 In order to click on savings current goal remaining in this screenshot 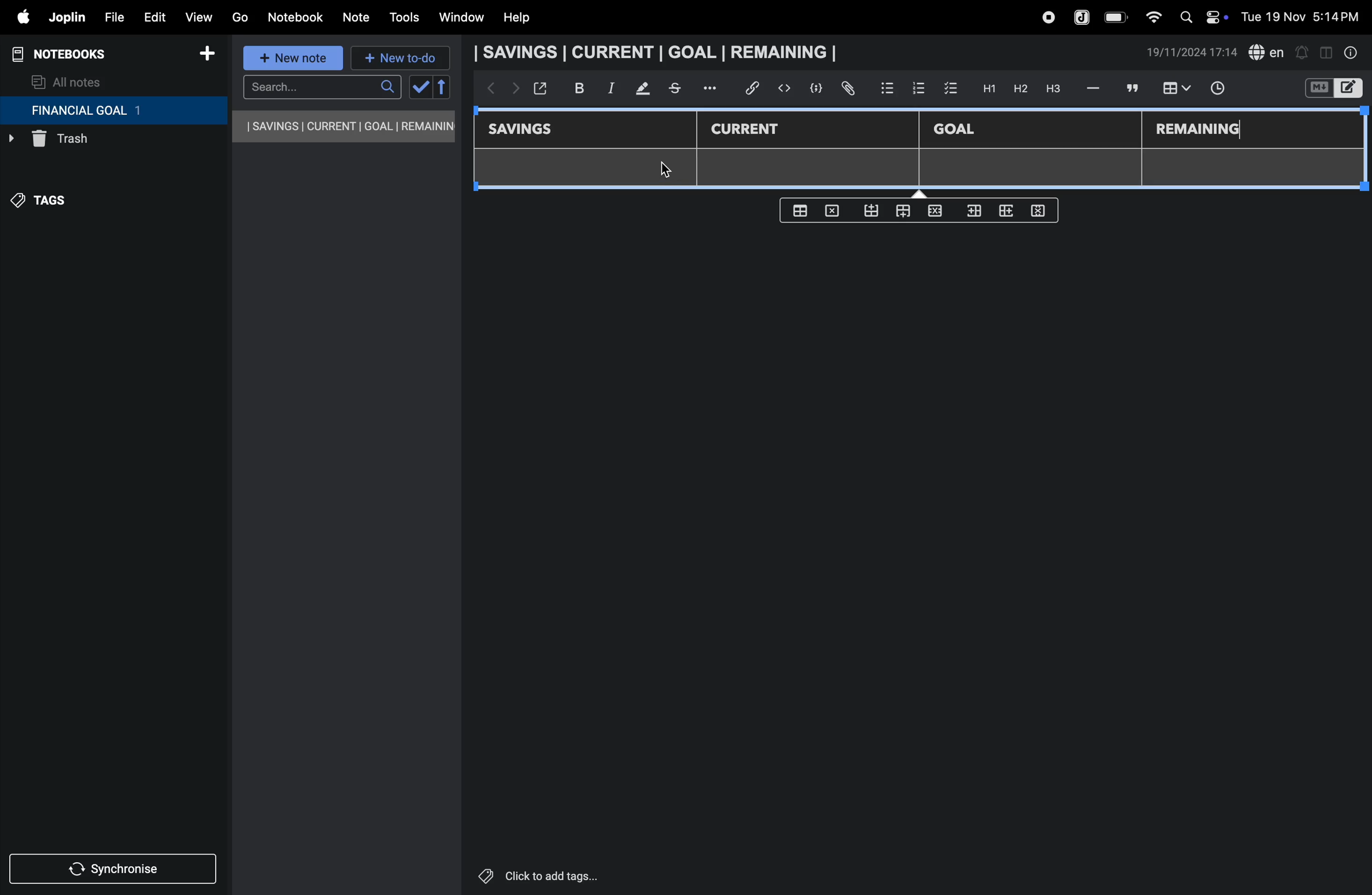, I will do `click(345, 126)`.